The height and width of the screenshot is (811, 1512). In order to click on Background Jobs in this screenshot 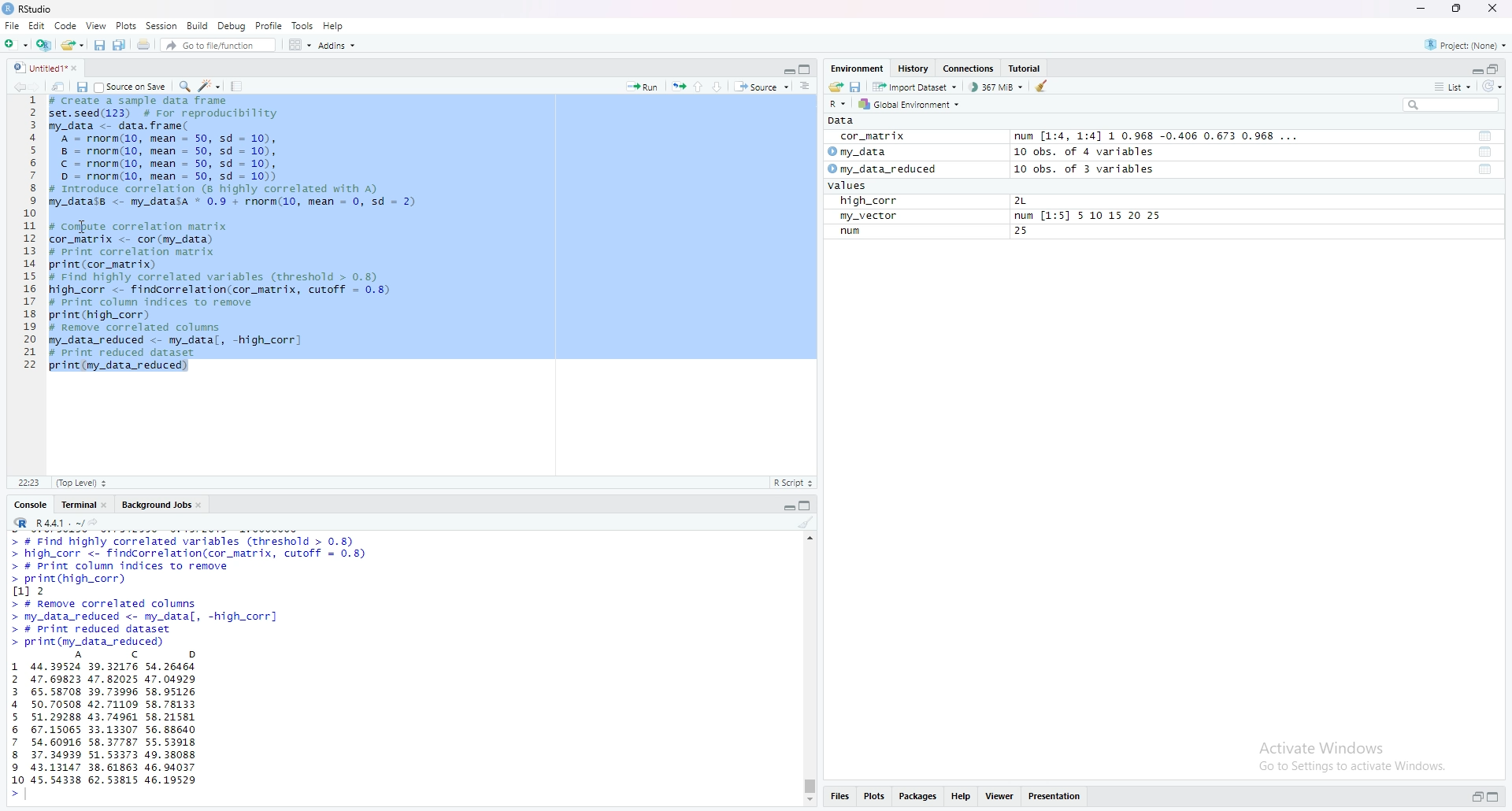, I will do `click(157, 505)`.